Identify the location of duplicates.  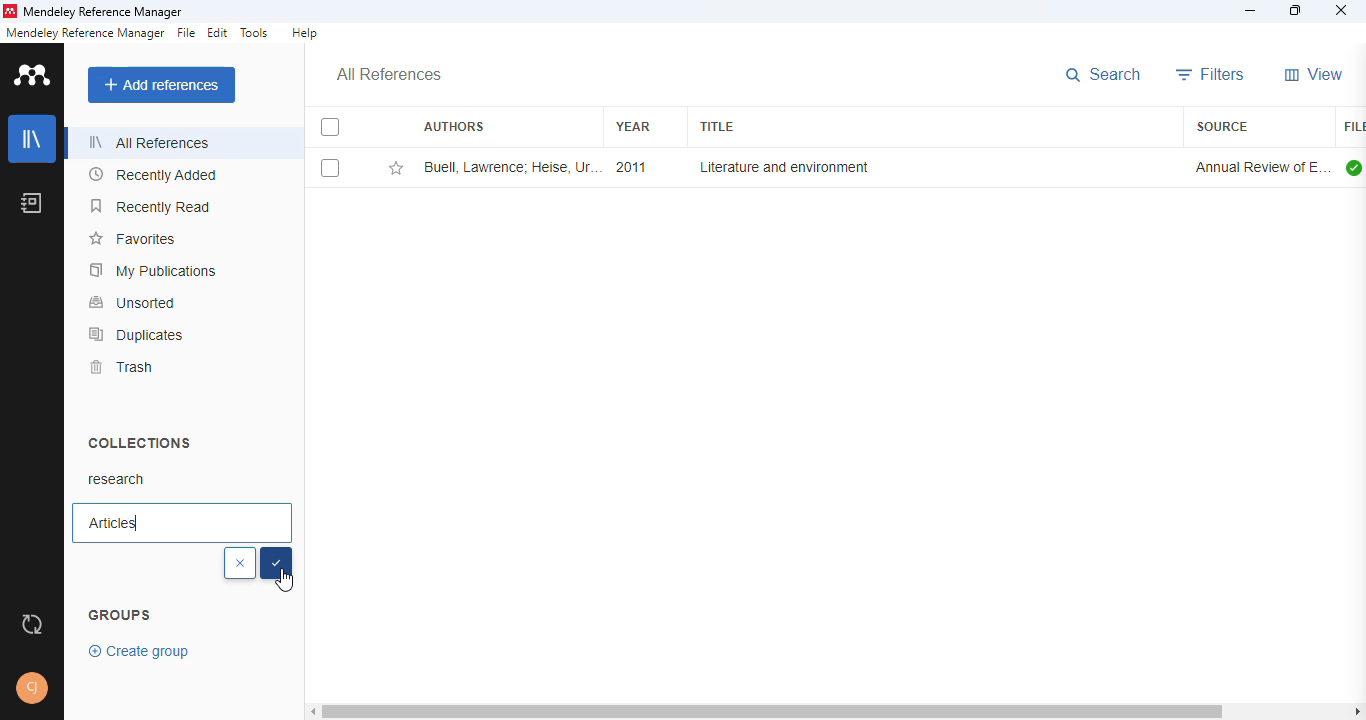
(137, 335).